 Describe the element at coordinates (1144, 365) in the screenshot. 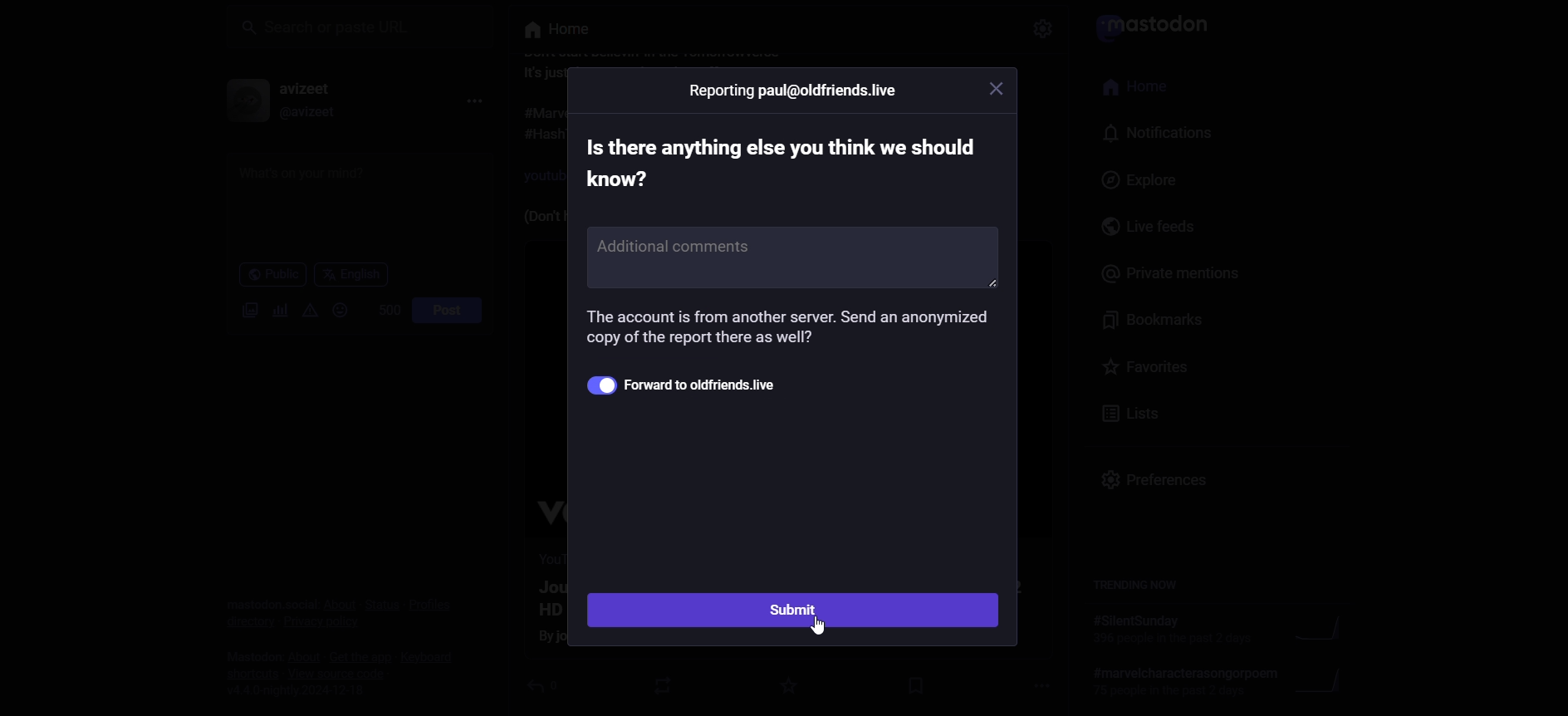

I see `favorites` at that location.